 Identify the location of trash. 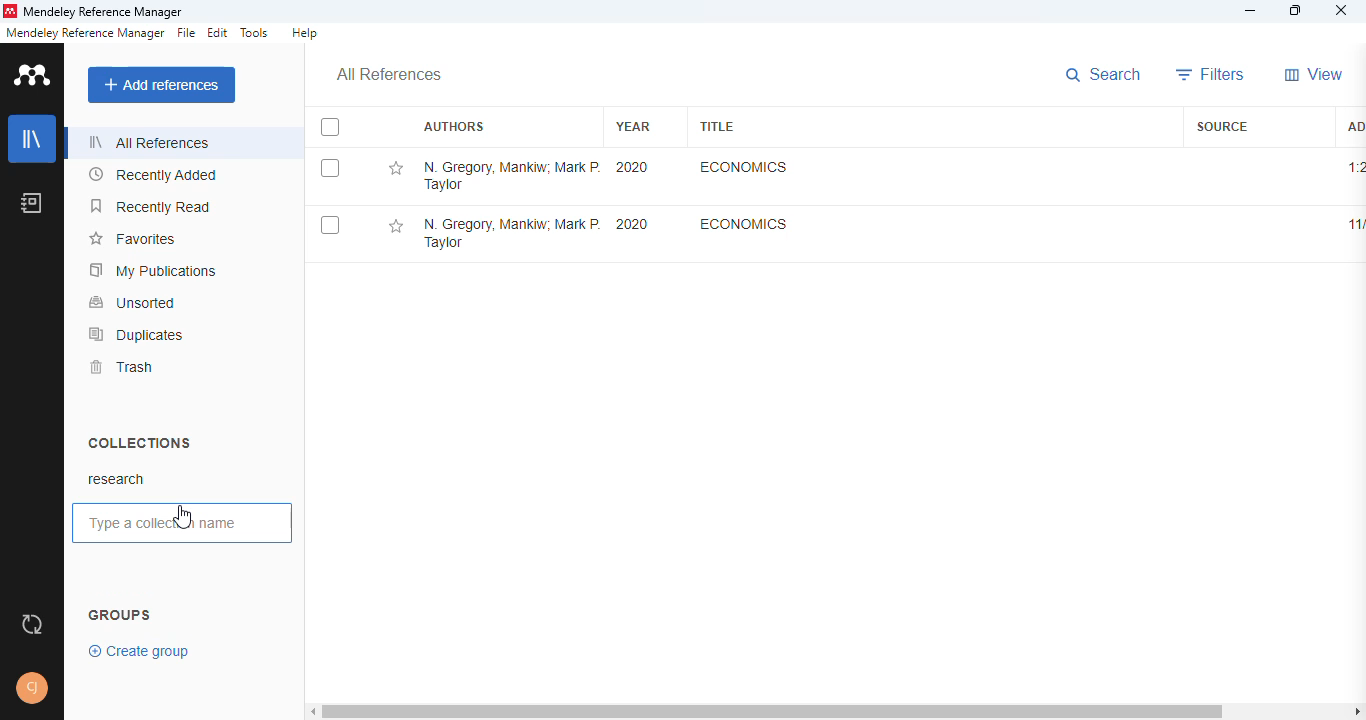
(120, 367).